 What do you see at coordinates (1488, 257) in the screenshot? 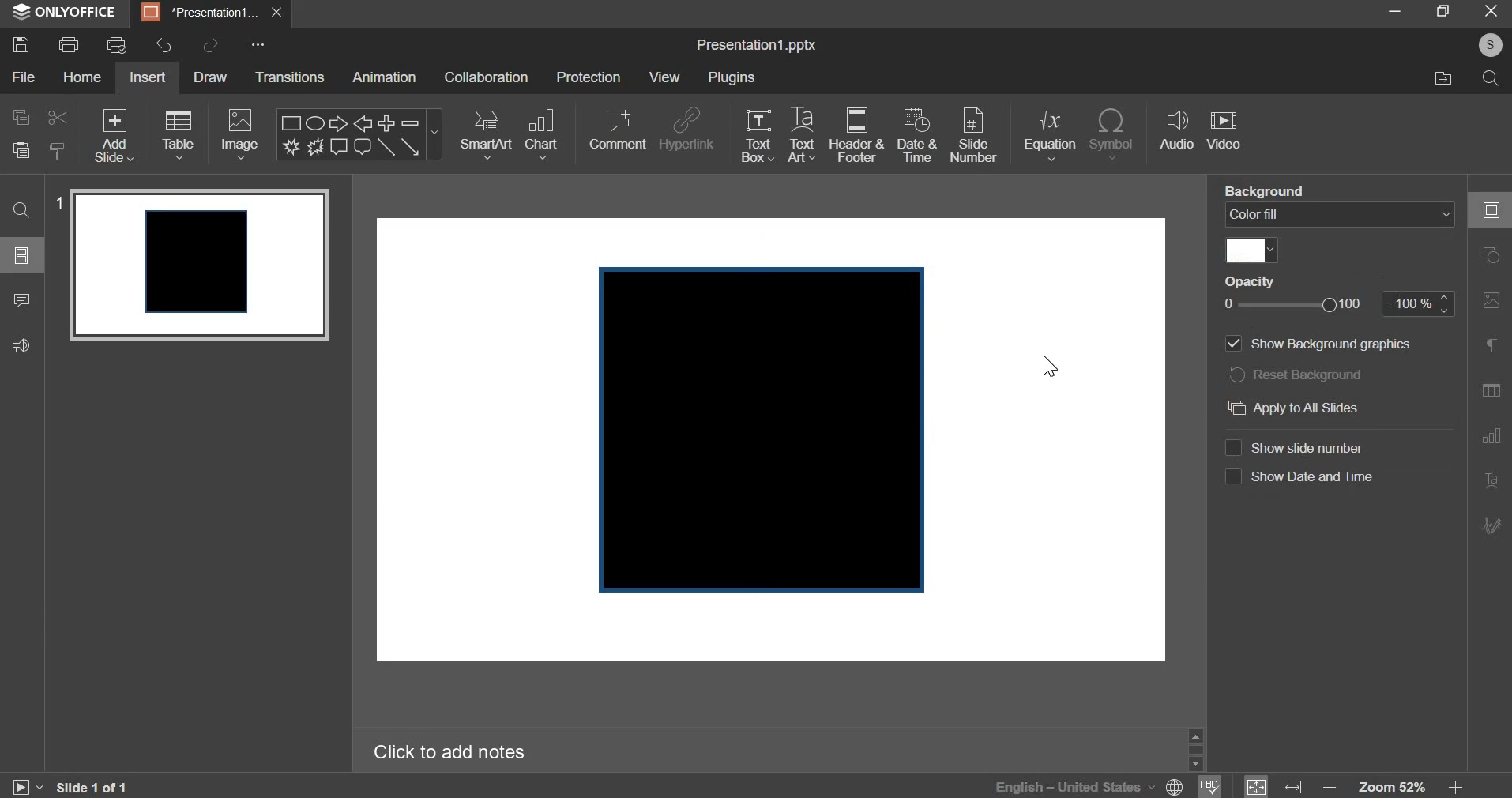
I see `Circle` at bounding box center [1488, 257].